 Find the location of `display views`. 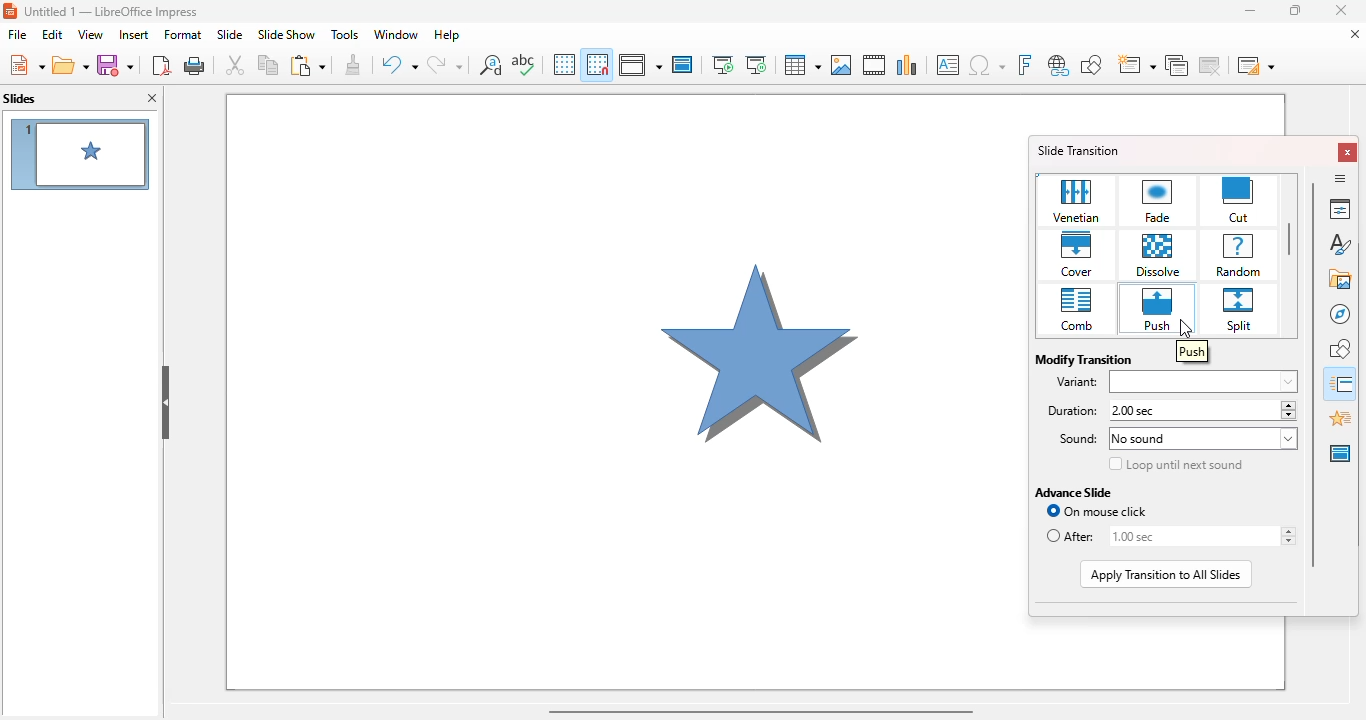

display views is located at coordinates (639, 64).